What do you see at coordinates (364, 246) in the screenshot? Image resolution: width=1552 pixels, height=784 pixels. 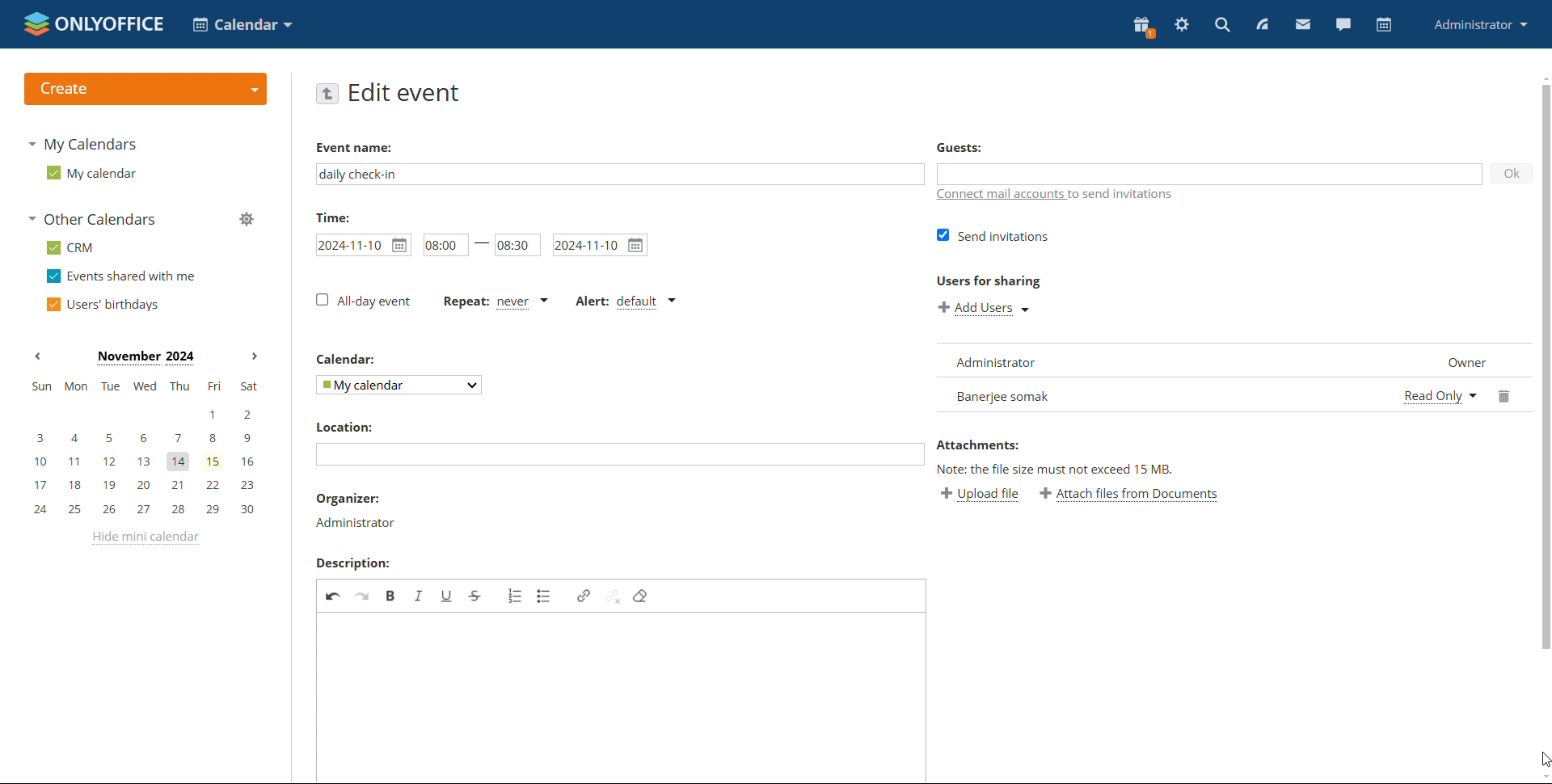 I see `start date` at bounding box center [364, 246].